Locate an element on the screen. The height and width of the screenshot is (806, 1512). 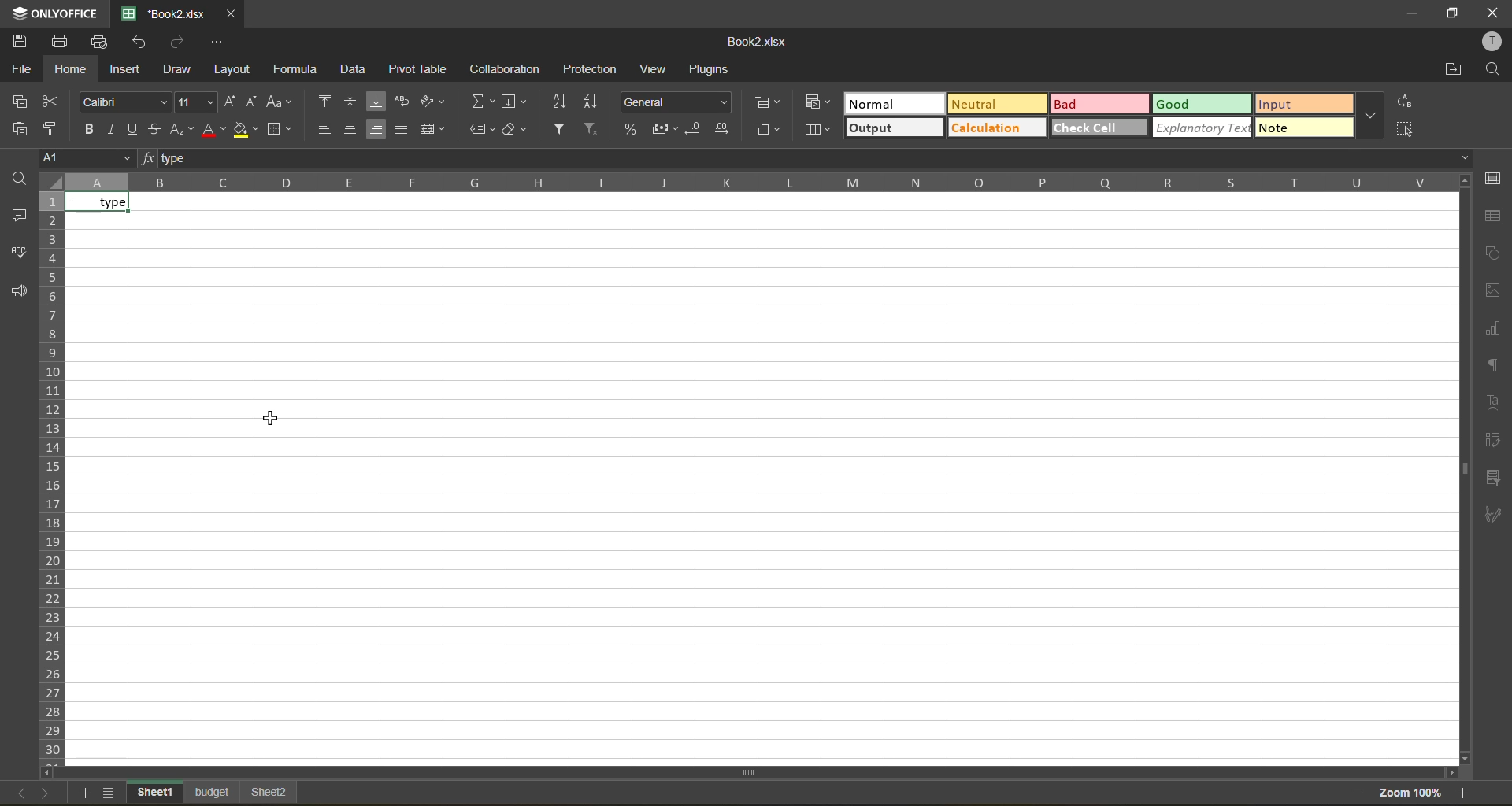
insert cells is located at coordinates (769, 102).